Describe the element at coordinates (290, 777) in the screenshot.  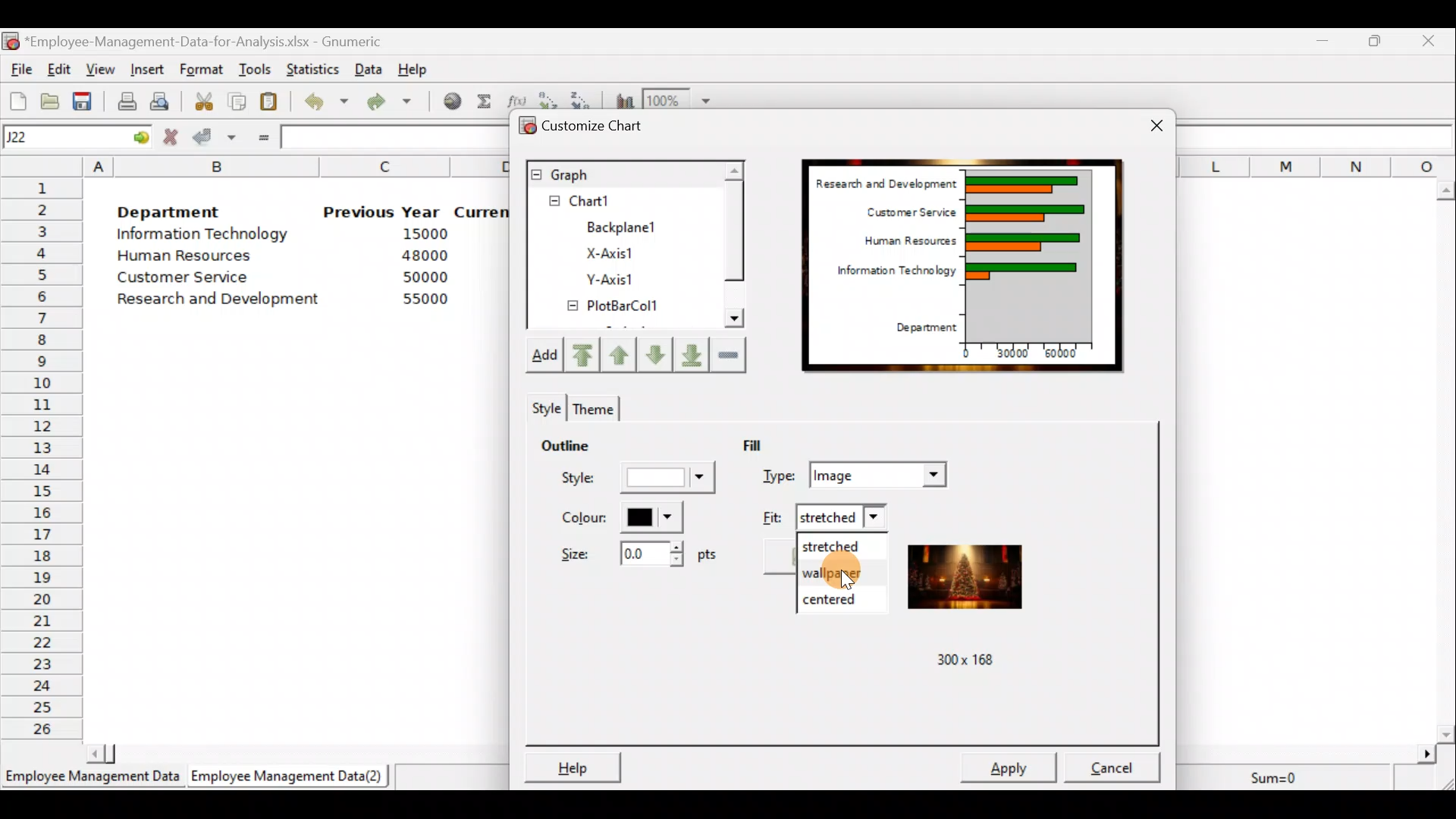
I see `Employee Management Data (2)` at that location.